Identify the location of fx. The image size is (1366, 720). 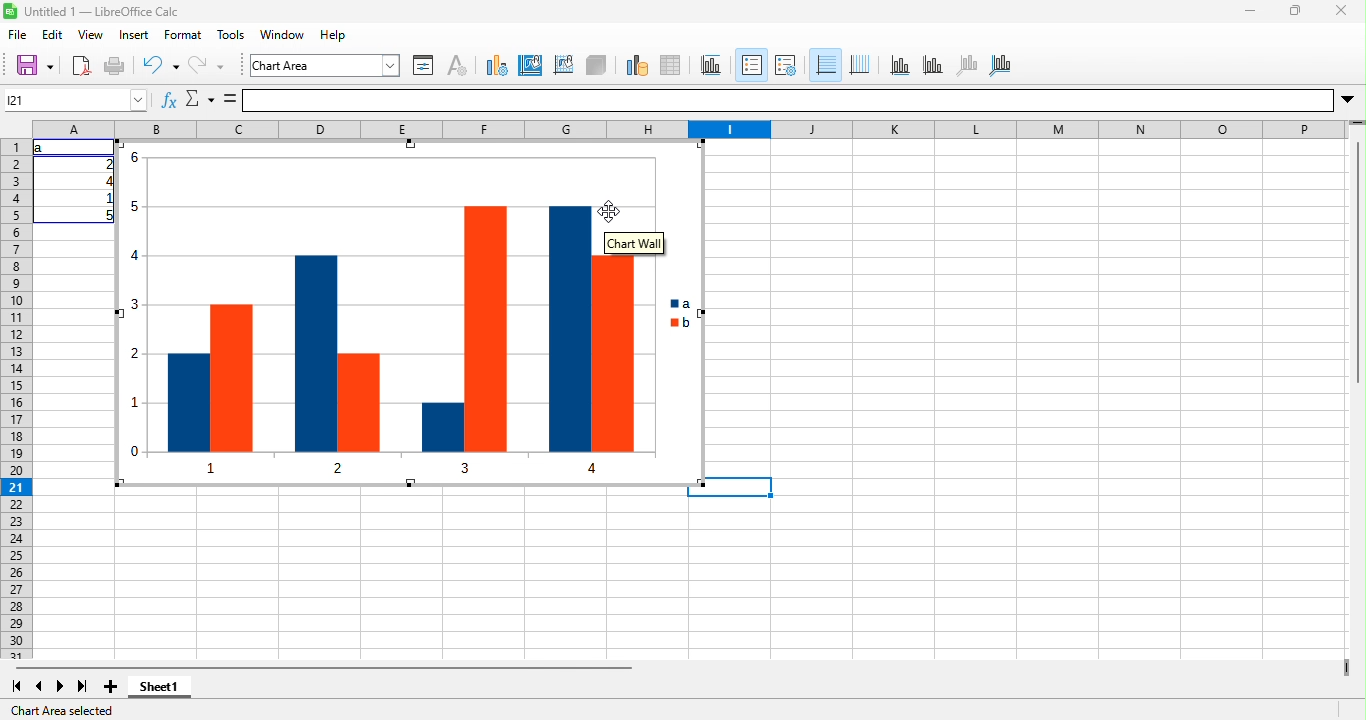
(169, 99).